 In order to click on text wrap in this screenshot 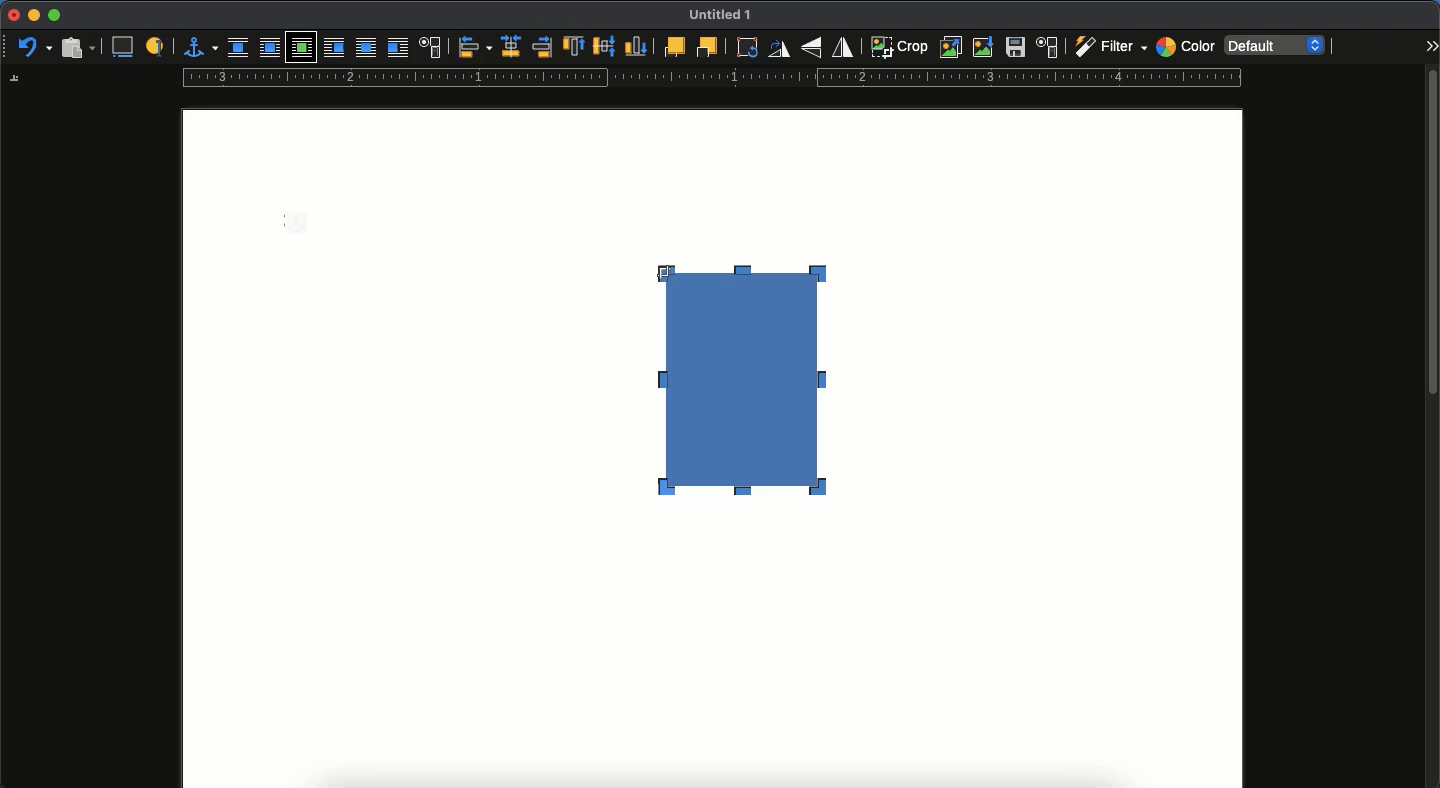, I will do `click(431, 49)`.